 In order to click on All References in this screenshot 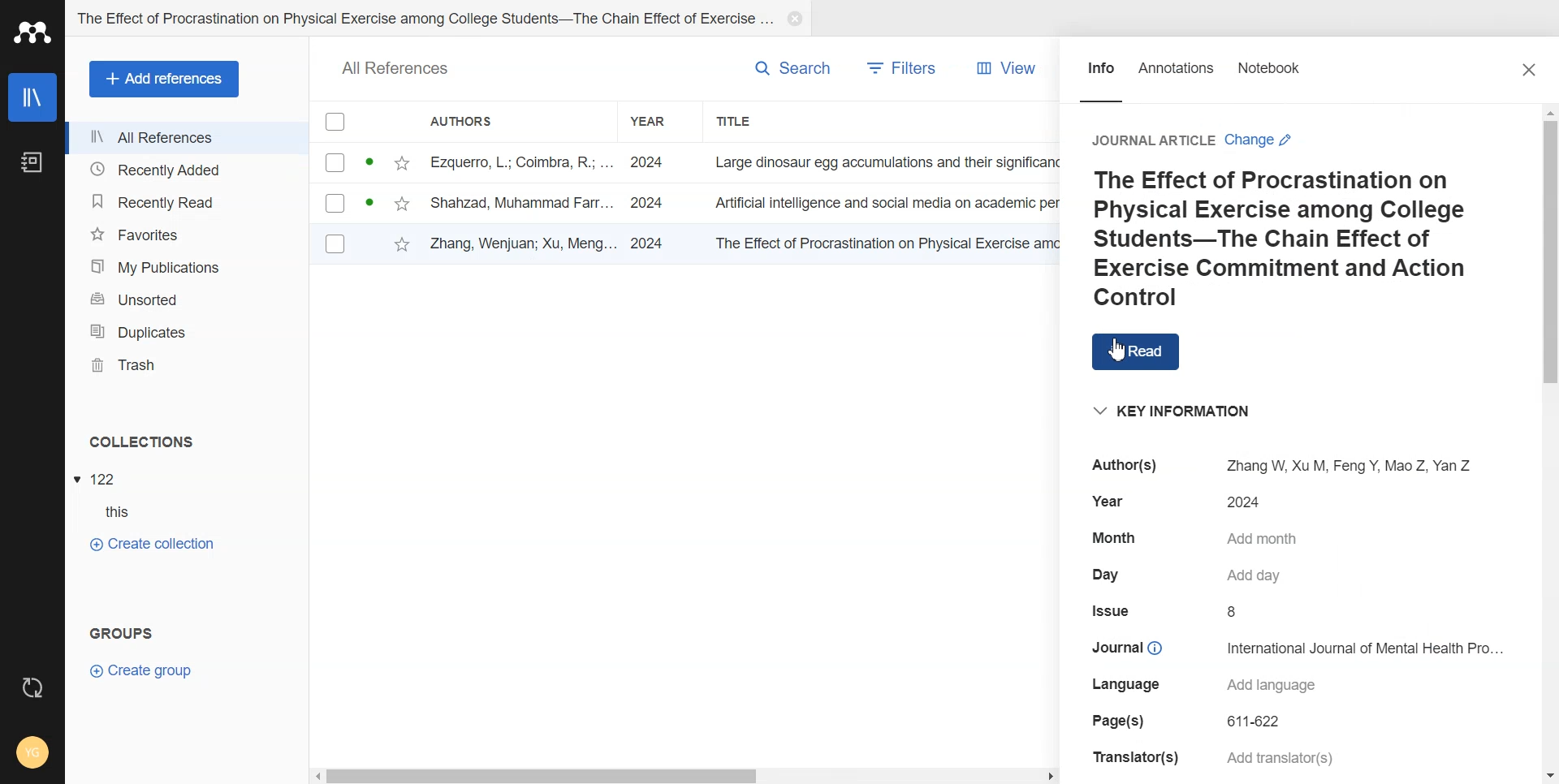, I will do `click(402, 66)`.